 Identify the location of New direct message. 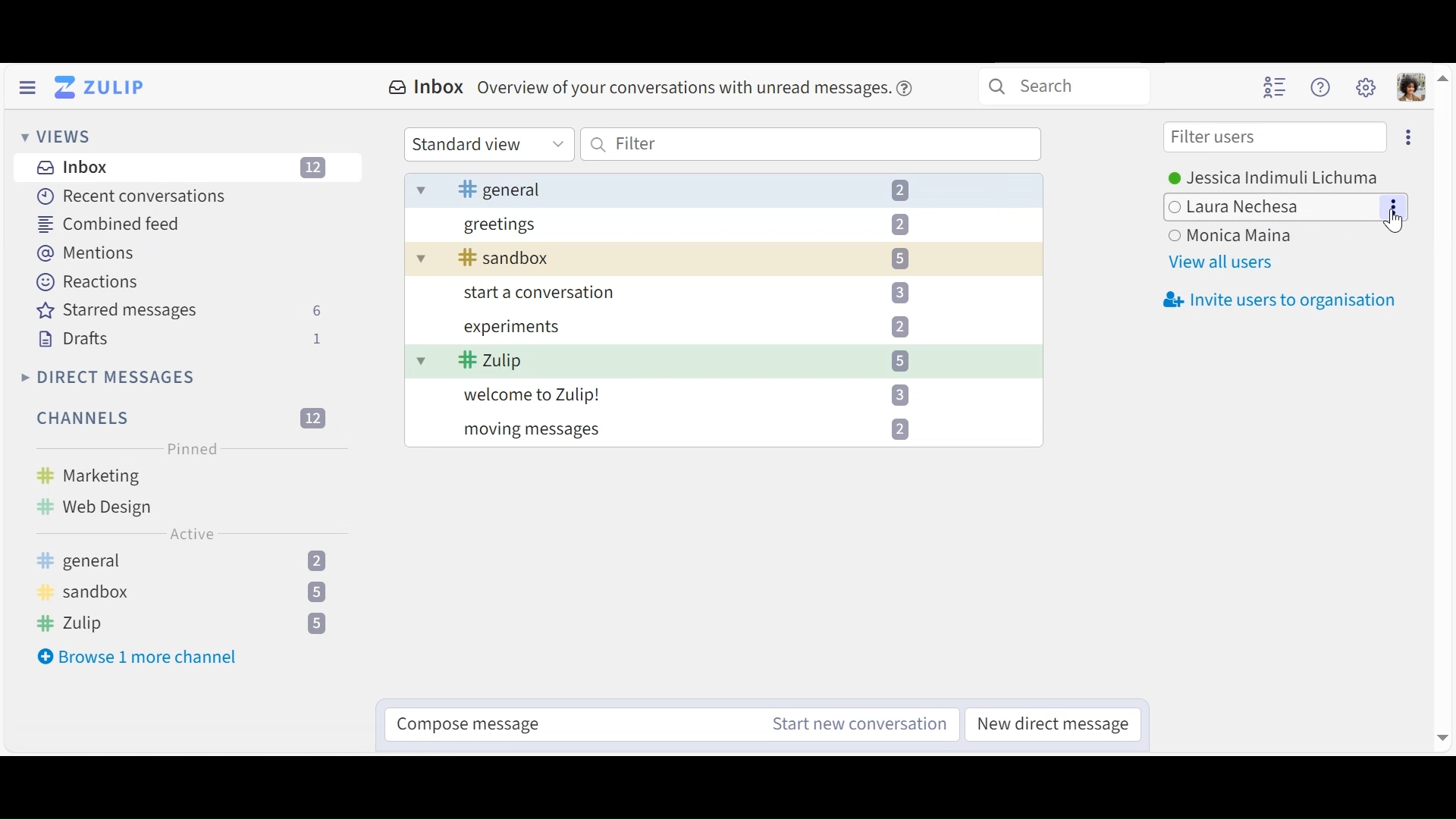
(1053, 723).